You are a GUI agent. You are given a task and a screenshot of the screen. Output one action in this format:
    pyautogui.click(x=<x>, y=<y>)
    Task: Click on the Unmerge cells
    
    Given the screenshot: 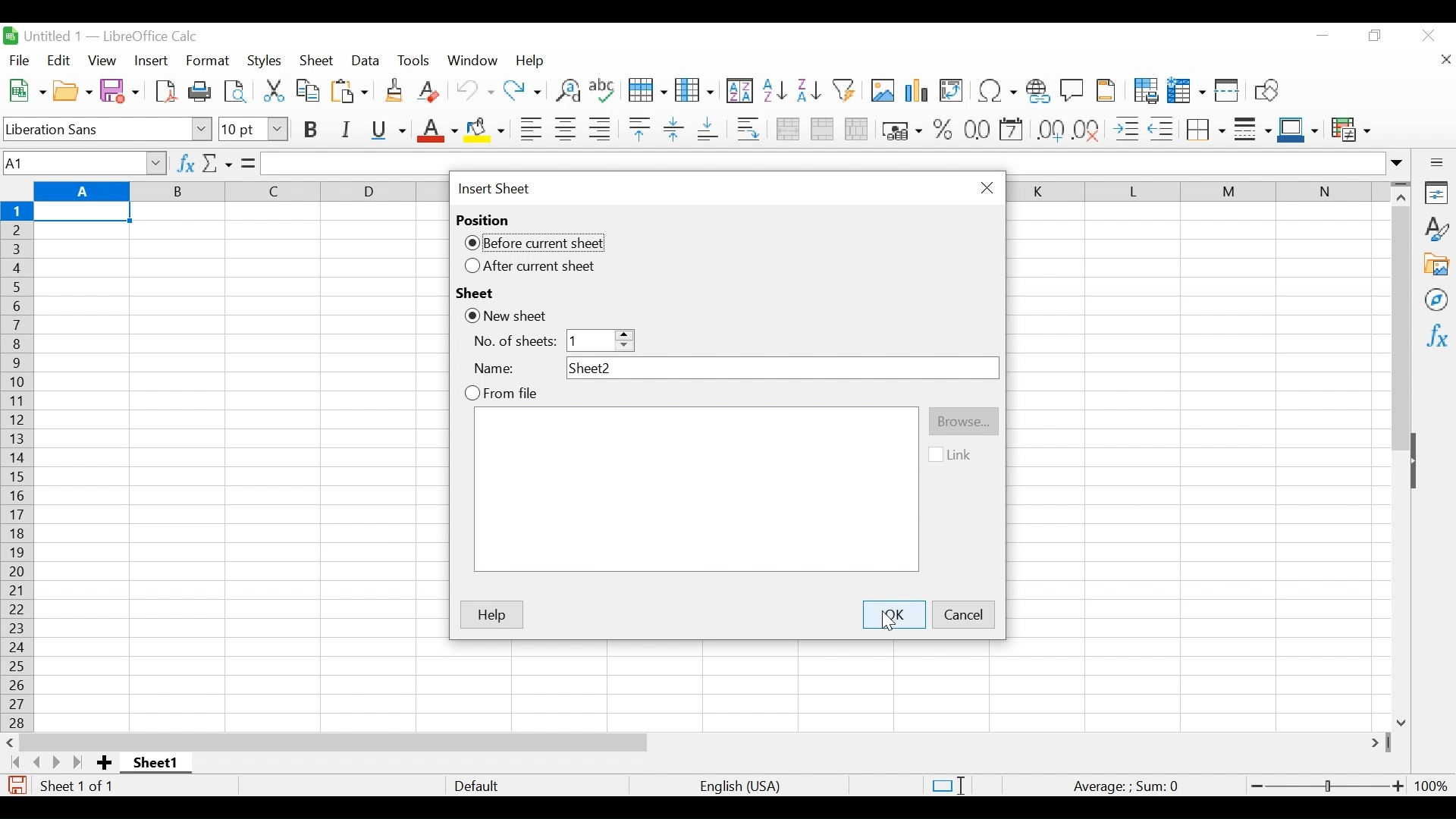 What is the action you would take?
    pyautogui.click(x=857, y=130)
    